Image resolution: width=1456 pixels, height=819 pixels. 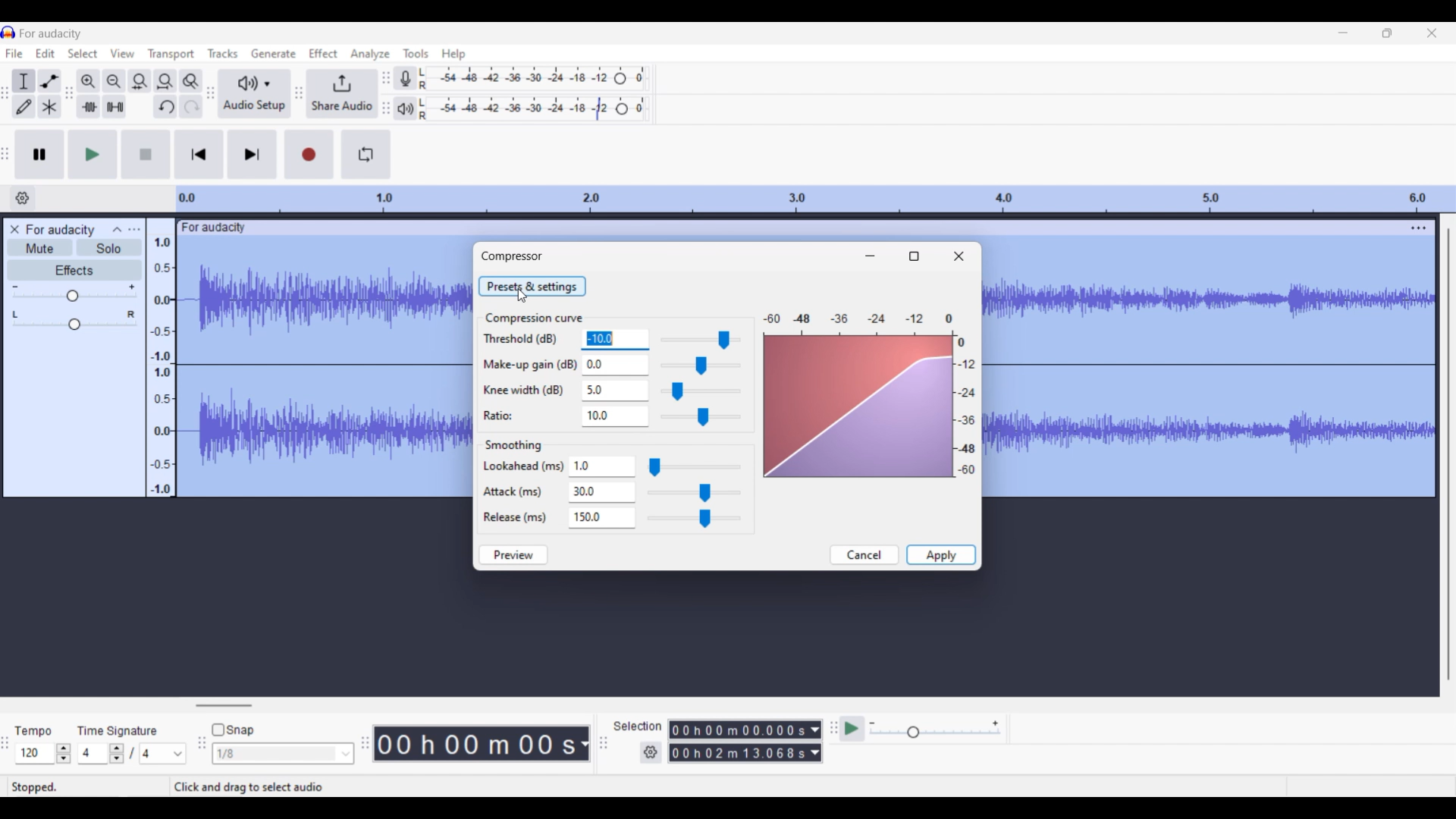 What do you see at coordinates (341, 94) in the screenshot?
I see `Share audio` at bounding box center [341, 94].